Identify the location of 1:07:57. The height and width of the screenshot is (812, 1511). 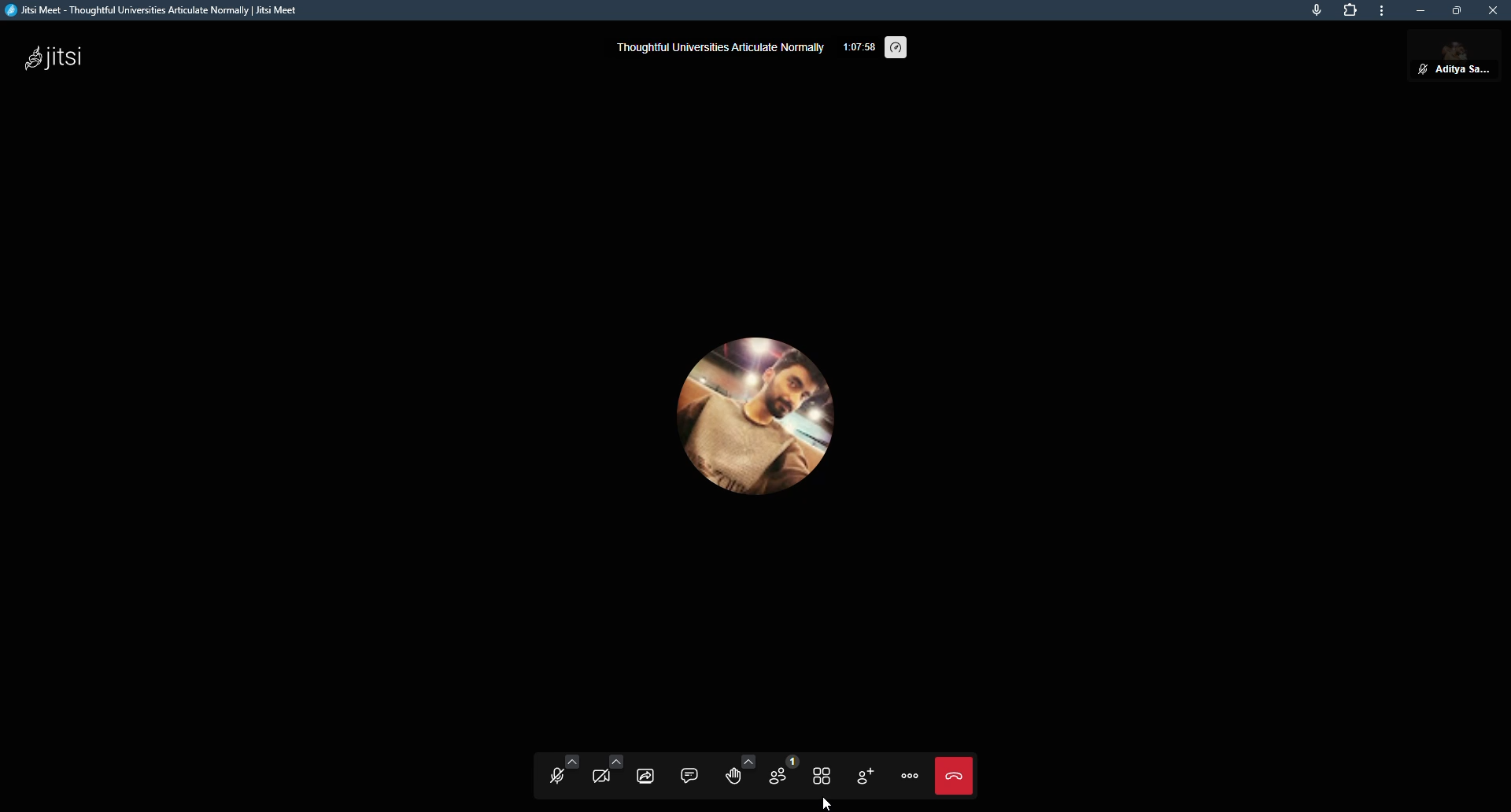
(858, 46).